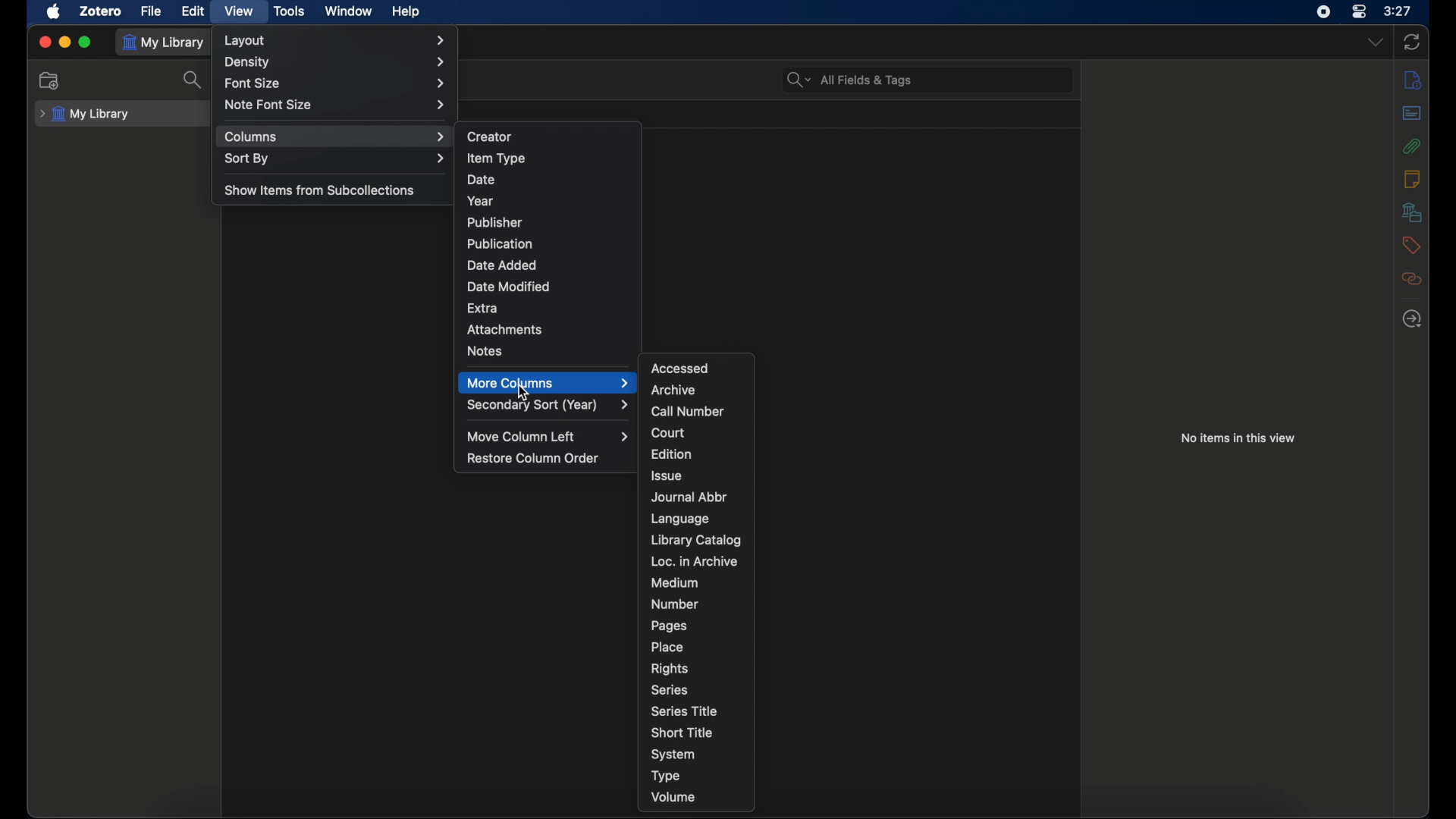  What do you see at coordinates (191, 11) in the screenshot?
I see `edit` at bounding box center [191, 11].